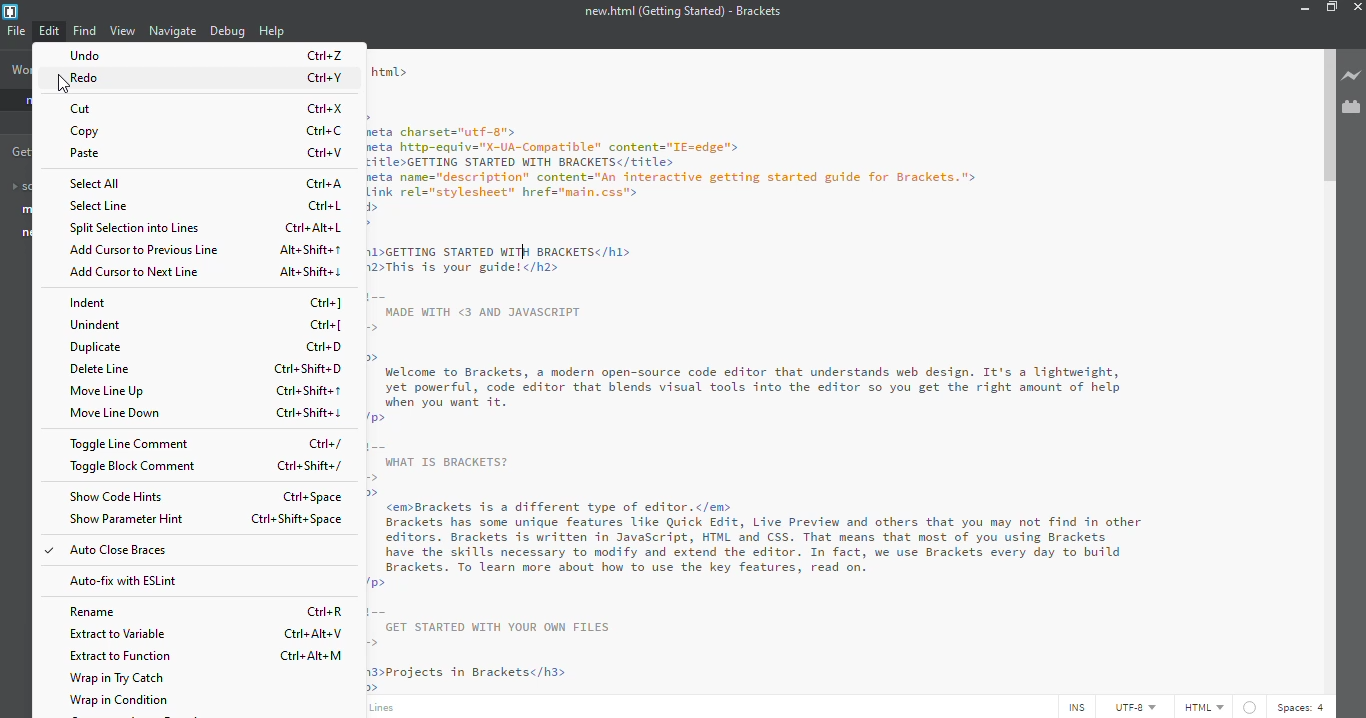 The image size is (1366, 718). What do you see at coordinates (97, 326) in the screenshot?
I see `unindent` at bounding box center [97, 326].